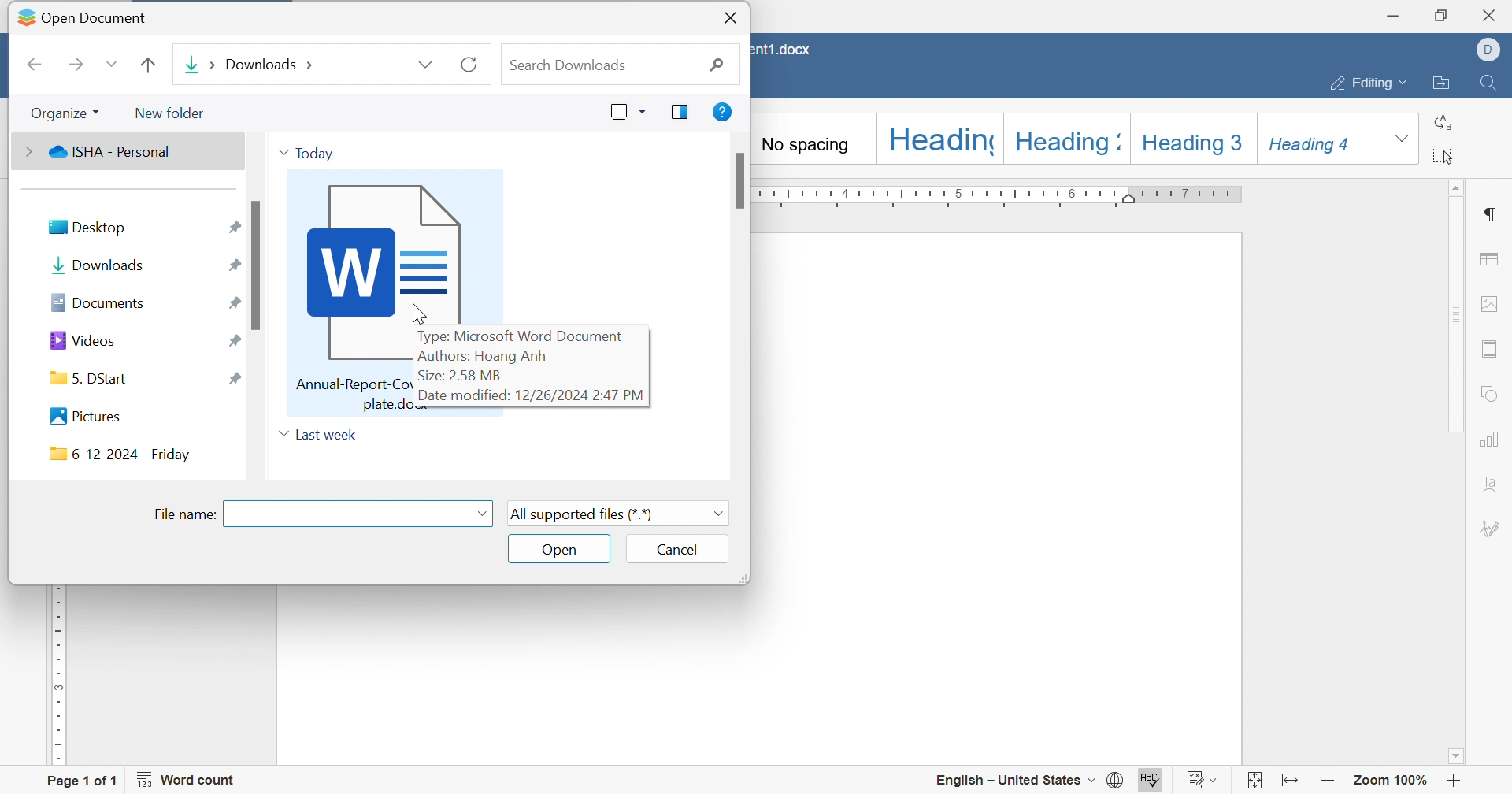 This screenshot has width=1512, height=794. Describe the element at coordinates (535, 368) in the screenshot. I see `type: microsoft word document authors: hoang anh size 2.58 mb date modified: 12/26/2024 2:47 pm` at that location.